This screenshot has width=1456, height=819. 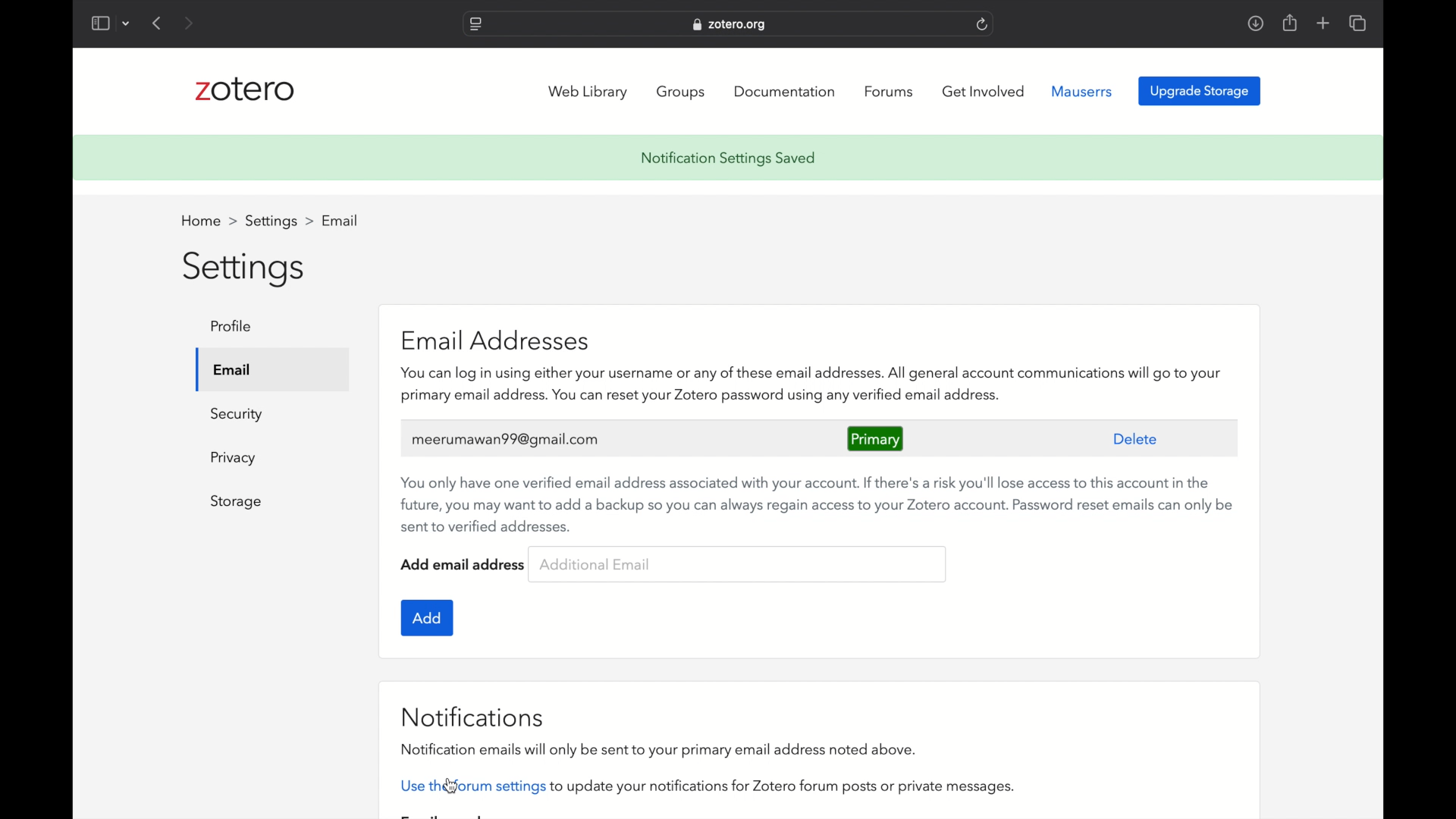 I want to click on settings, so click(x=279, y=222).